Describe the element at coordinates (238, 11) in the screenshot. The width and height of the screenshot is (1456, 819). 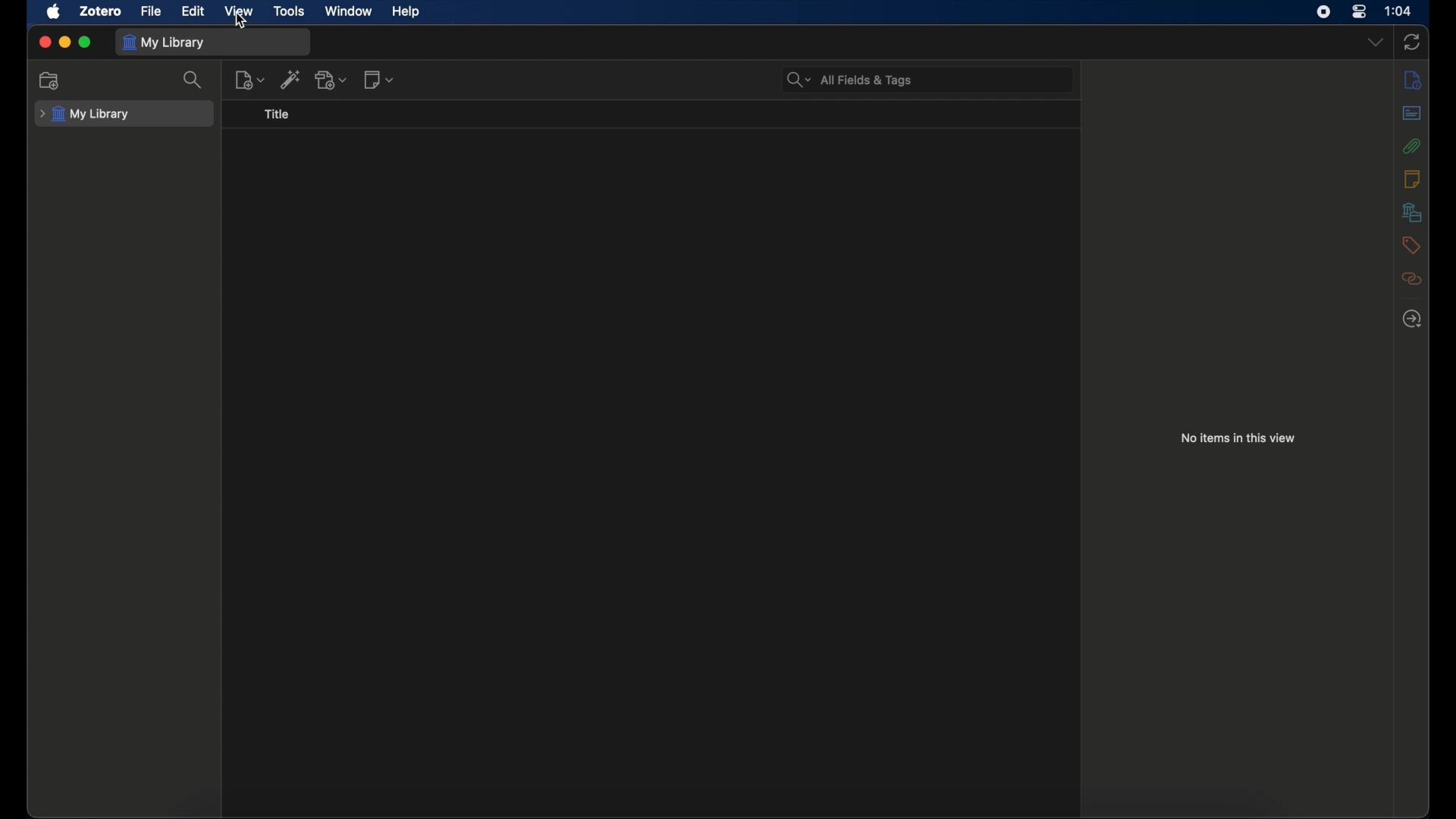
I see `view` at that location.